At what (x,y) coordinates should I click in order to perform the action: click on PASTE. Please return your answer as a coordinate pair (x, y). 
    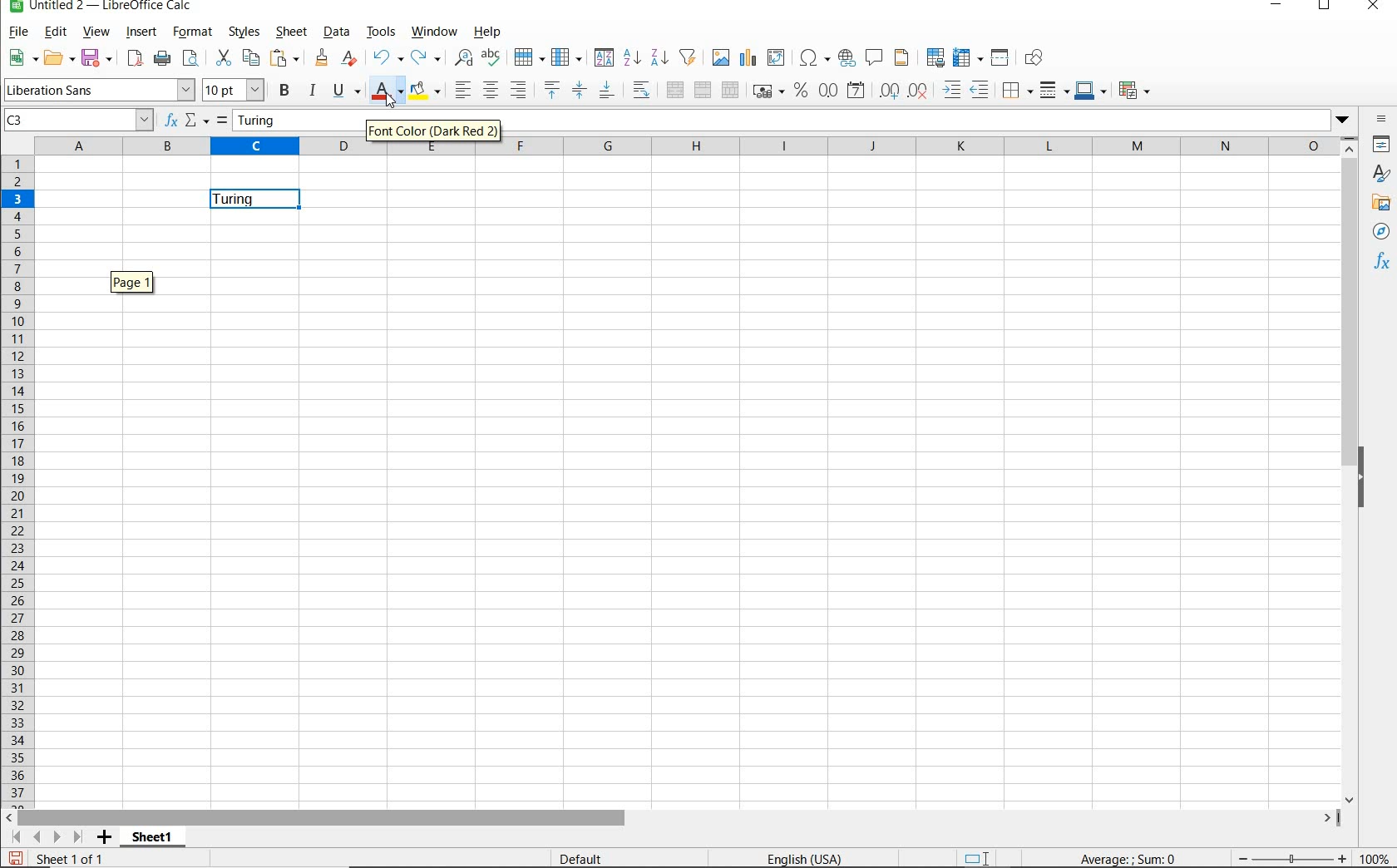
    Looking at the image, I should click on (286, 60).